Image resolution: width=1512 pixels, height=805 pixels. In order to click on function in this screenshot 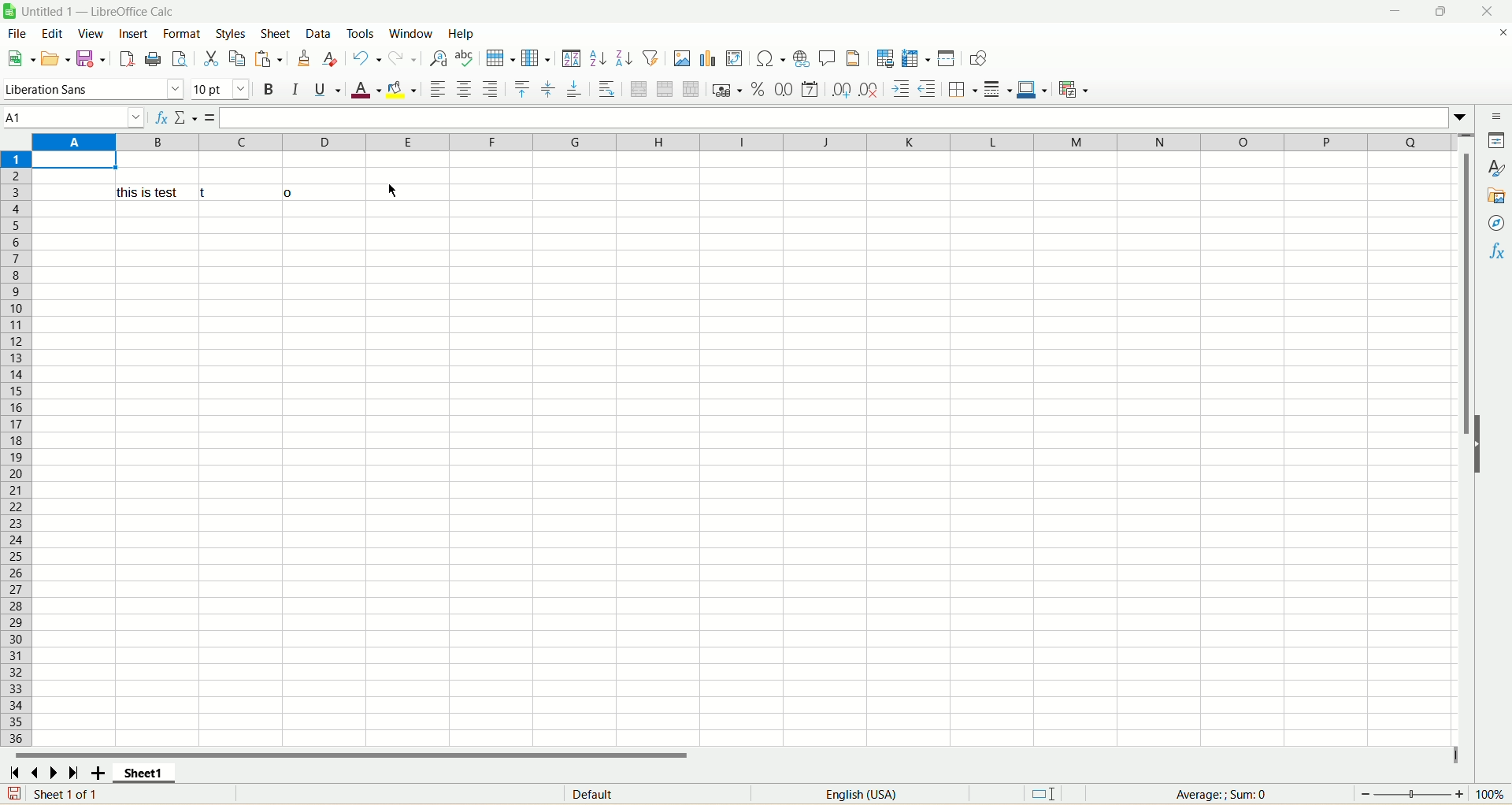, I will do `click(1495, 256)`.